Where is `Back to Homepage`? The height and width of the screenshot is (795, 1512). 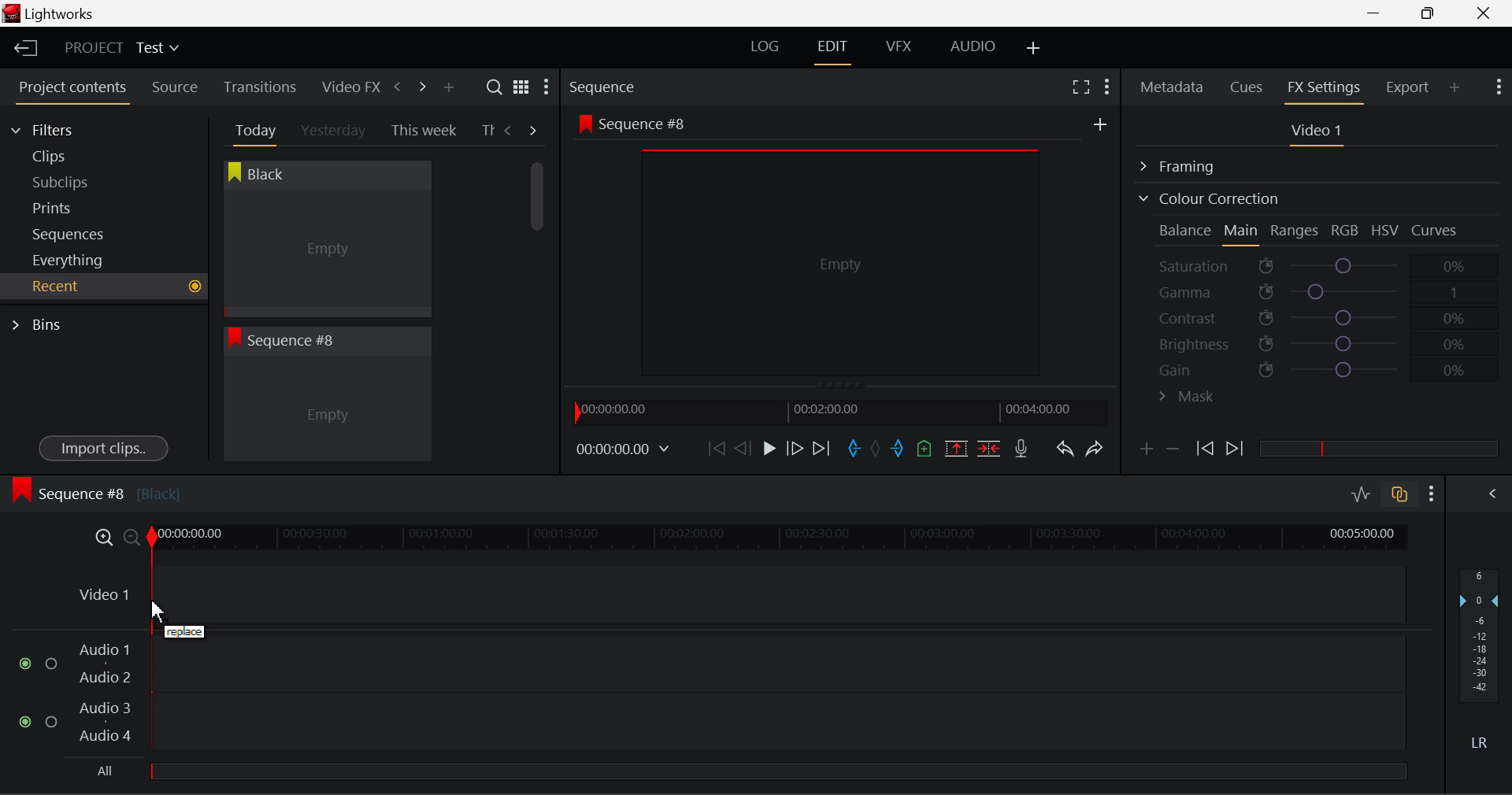 Back to Homepage is located at coordinates (20, 49).